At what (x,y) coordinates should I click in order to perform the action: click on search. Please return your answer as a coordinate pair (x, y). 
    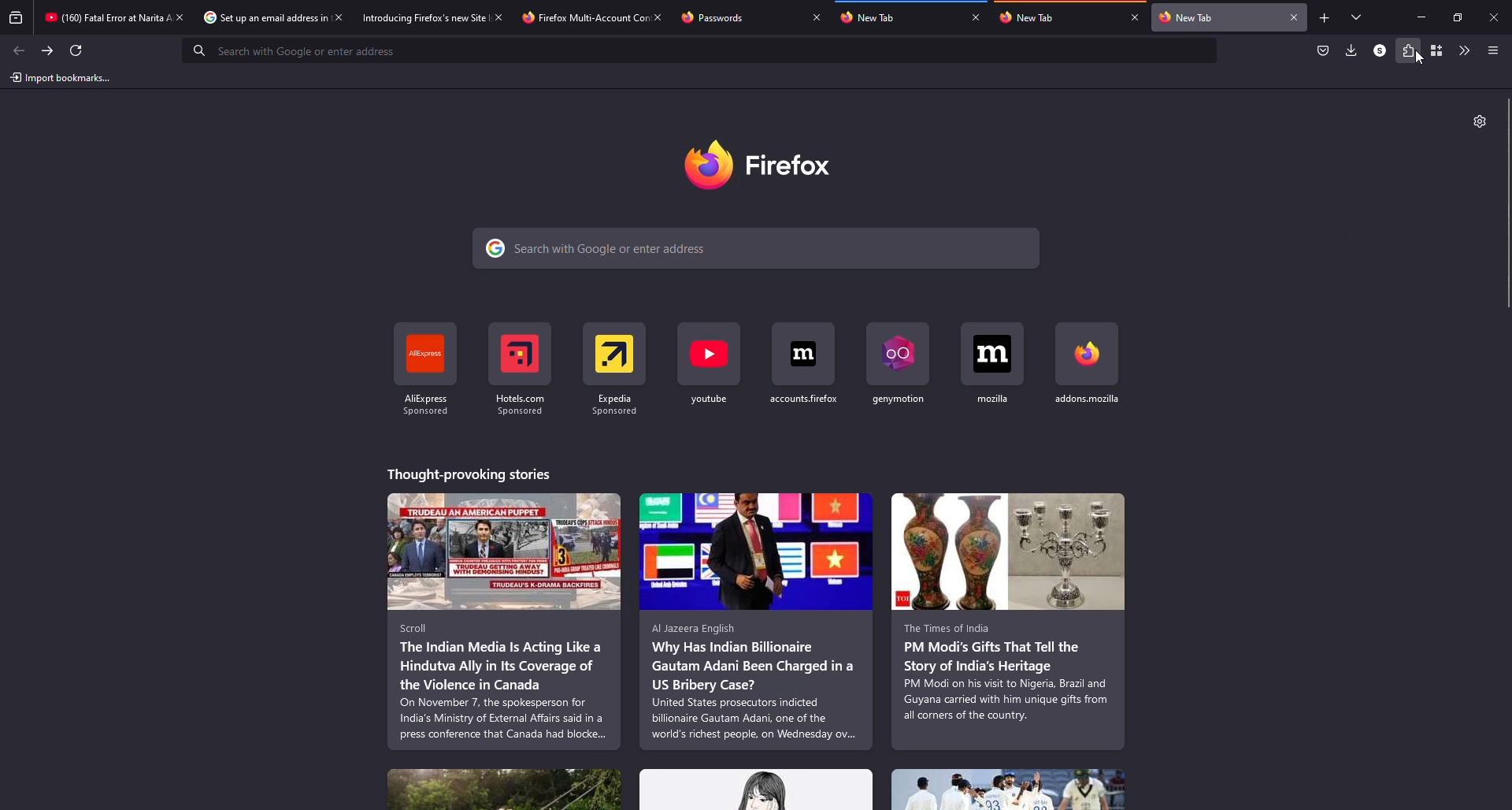
    Looking at the image, I should click on (299, 50).